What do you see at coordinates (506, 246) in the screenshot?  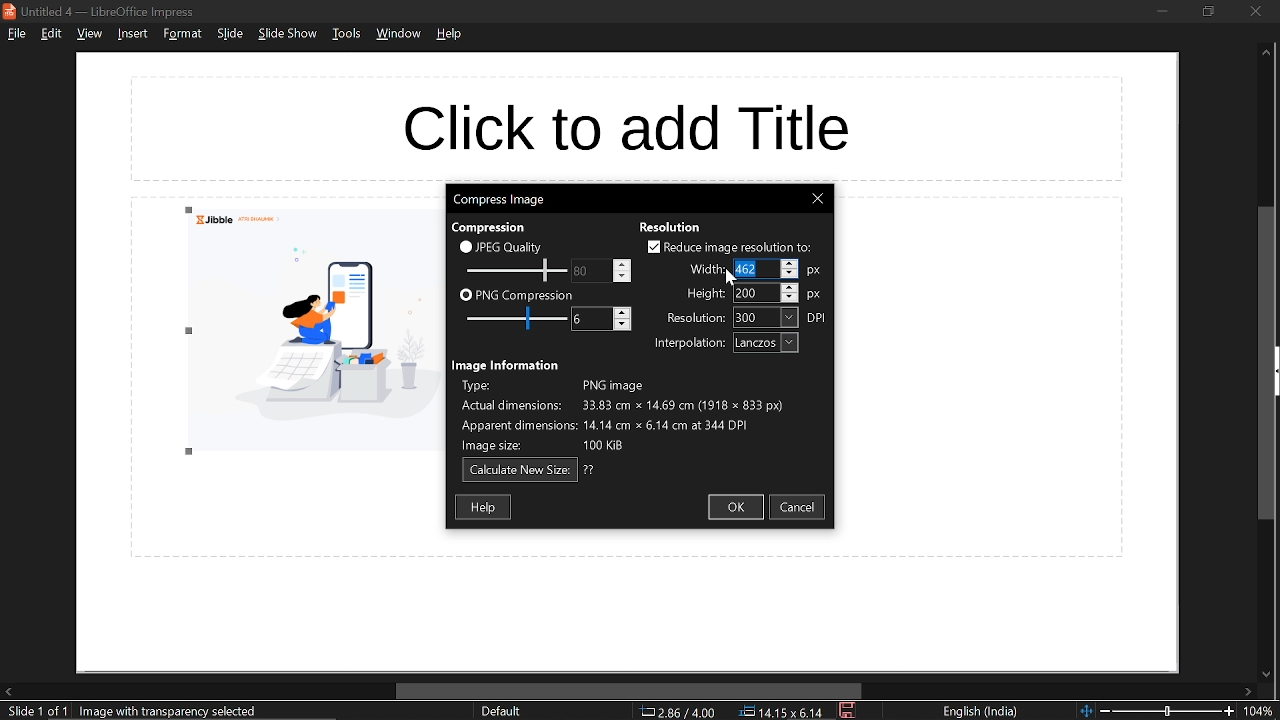 I see `JPEG quality` at bounding box center [506, 246].